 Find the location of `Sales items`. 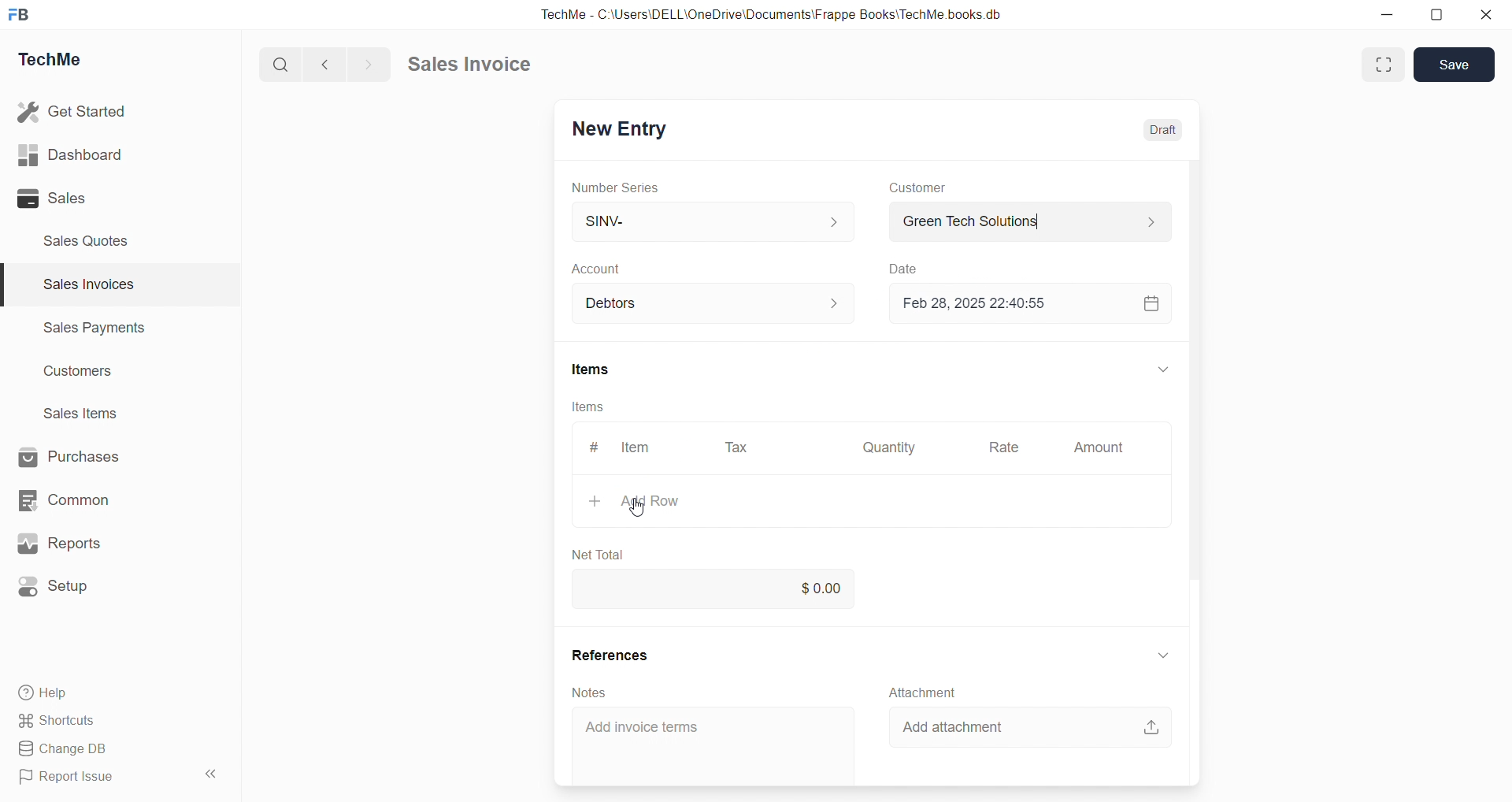

Sales items is located at coordinates (82, 413).